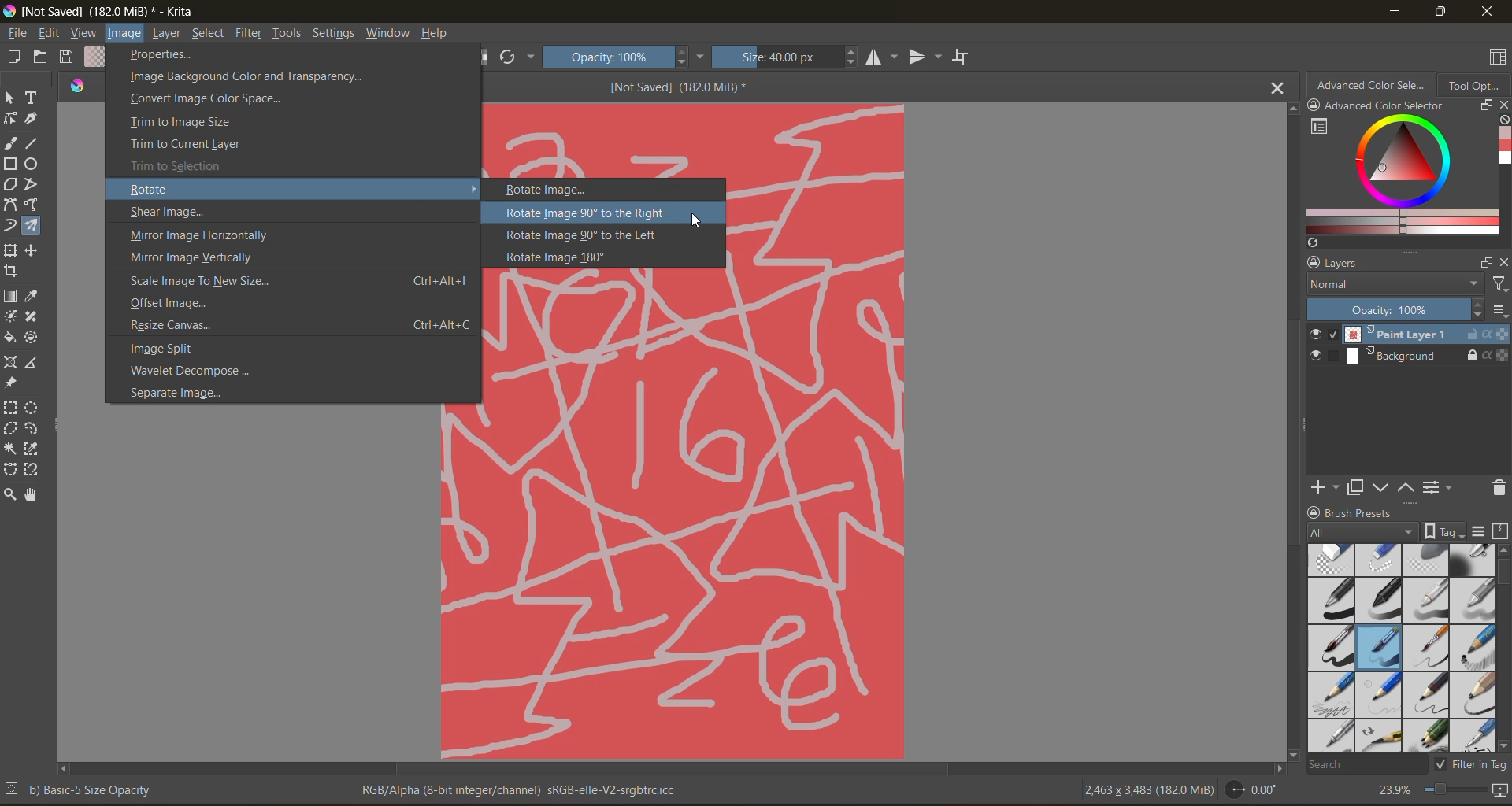  I want to click on Logo, so click(79, 87).